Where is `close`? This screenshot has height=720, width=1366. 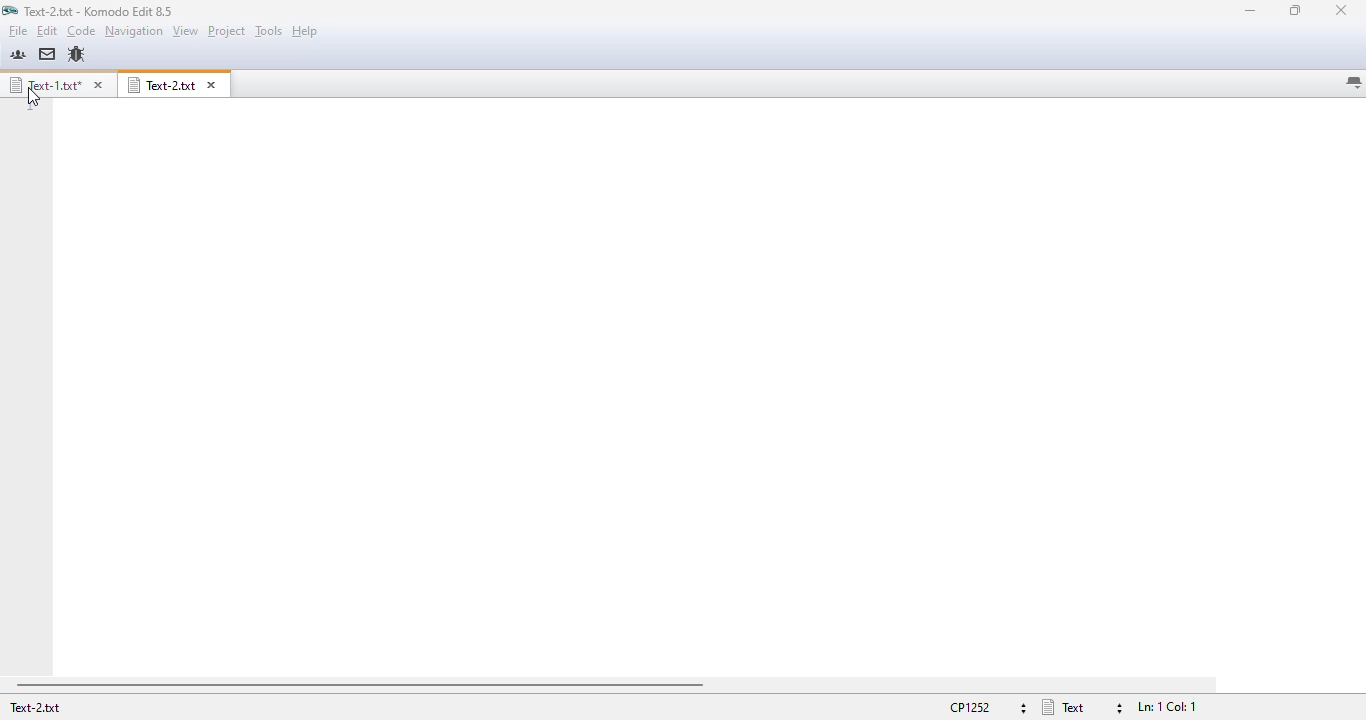 close is located at coordinates (1341, 10).